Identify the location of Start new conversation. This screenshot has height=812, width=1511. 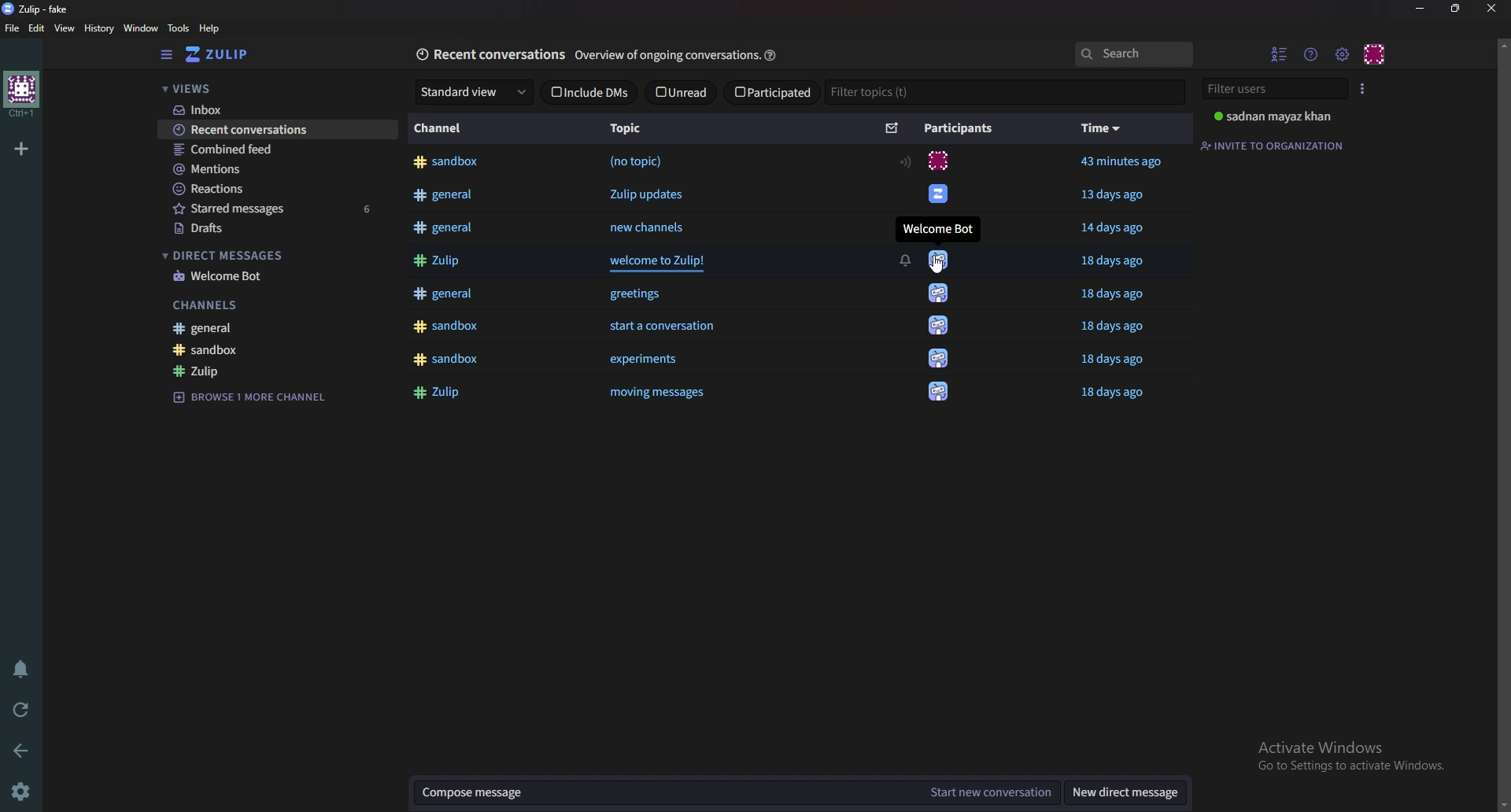
(997, 791).